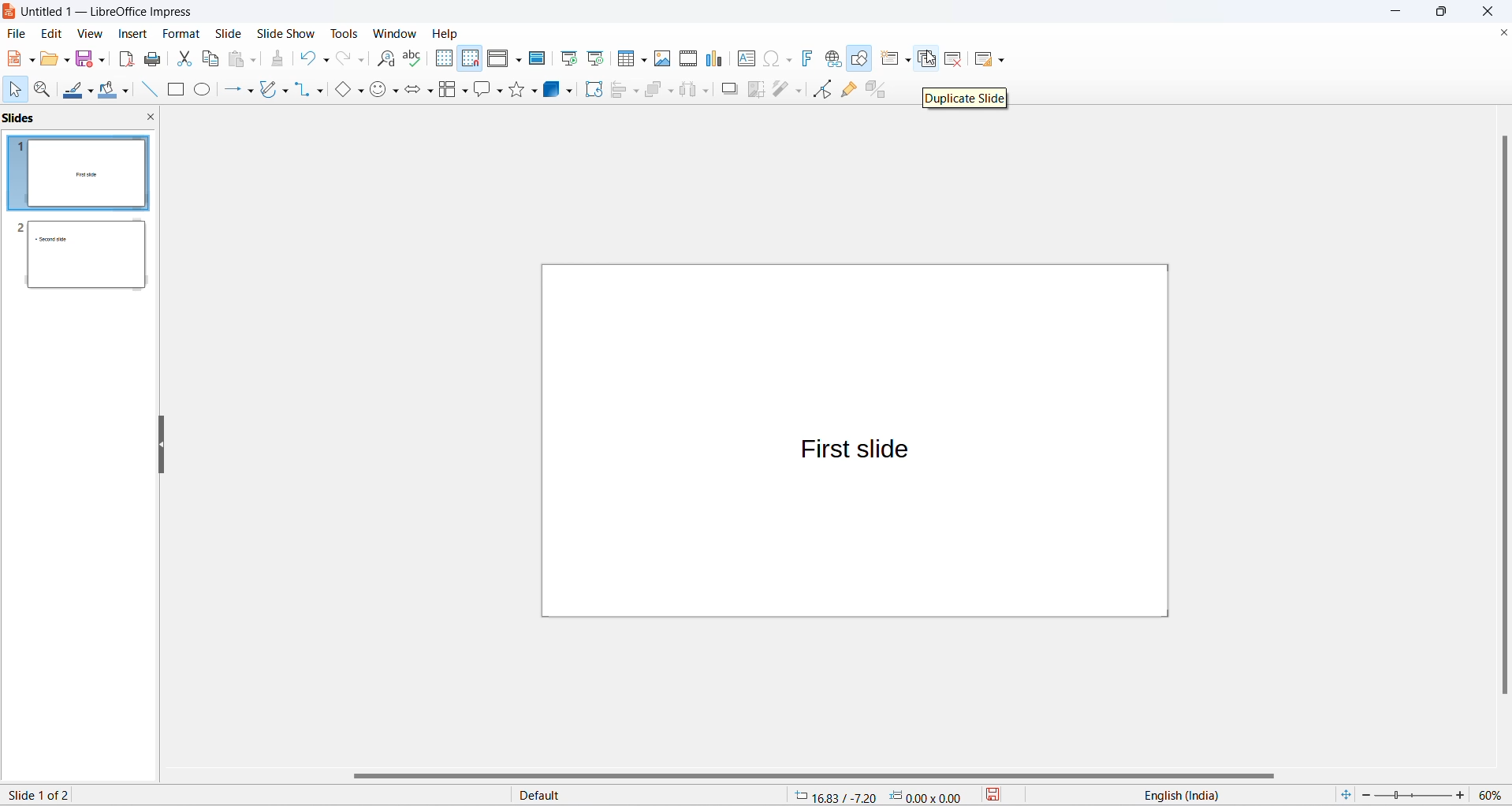 This screenshot has width=1512, height=806. What do you see at coordinates (135, 33) in the screenshot?
I see `insert` at bounding box center [135, 33].